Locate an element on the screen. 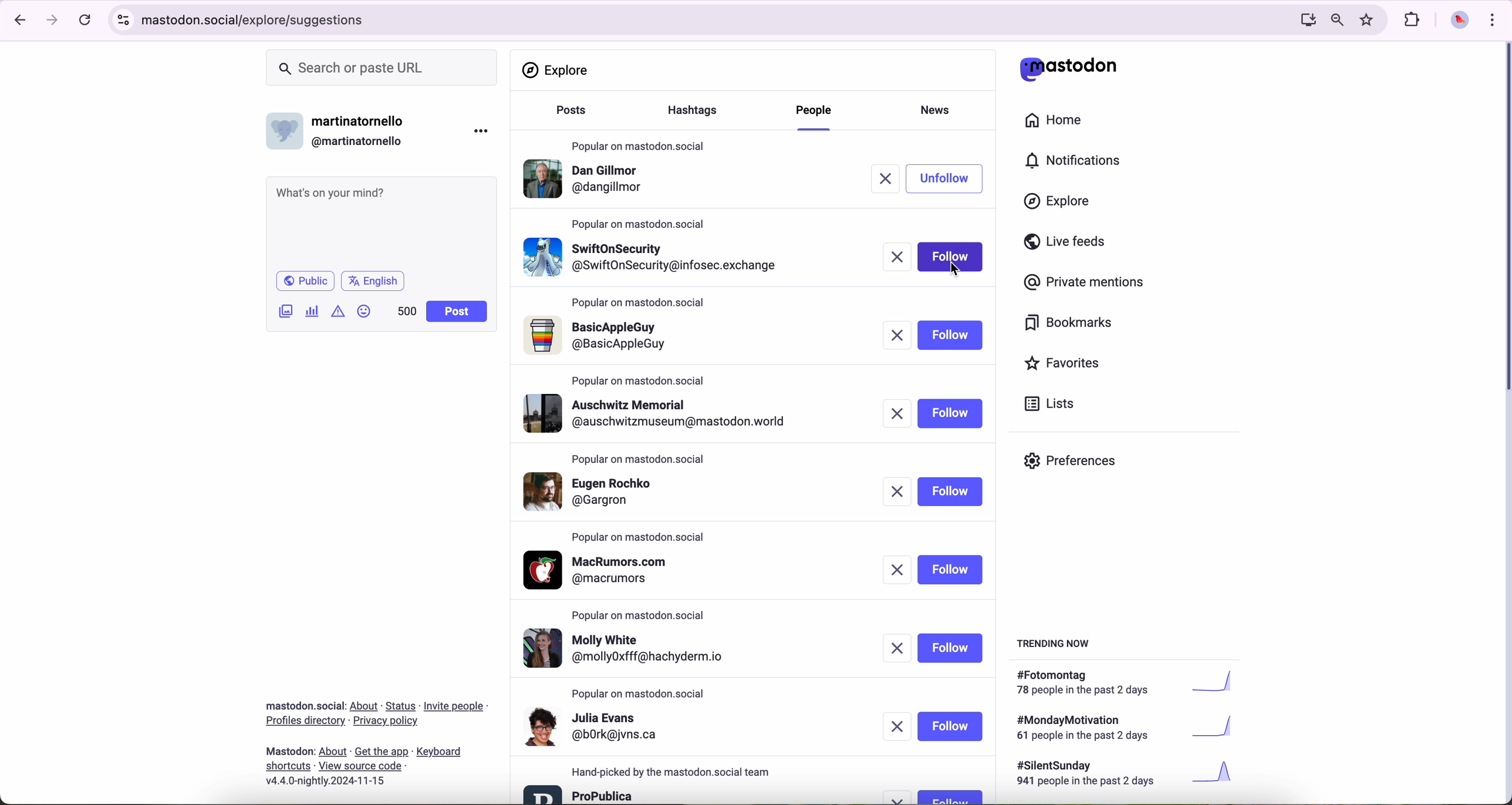 This screenshot has width=1512, height=805. username is located at coordinates (341, 128).